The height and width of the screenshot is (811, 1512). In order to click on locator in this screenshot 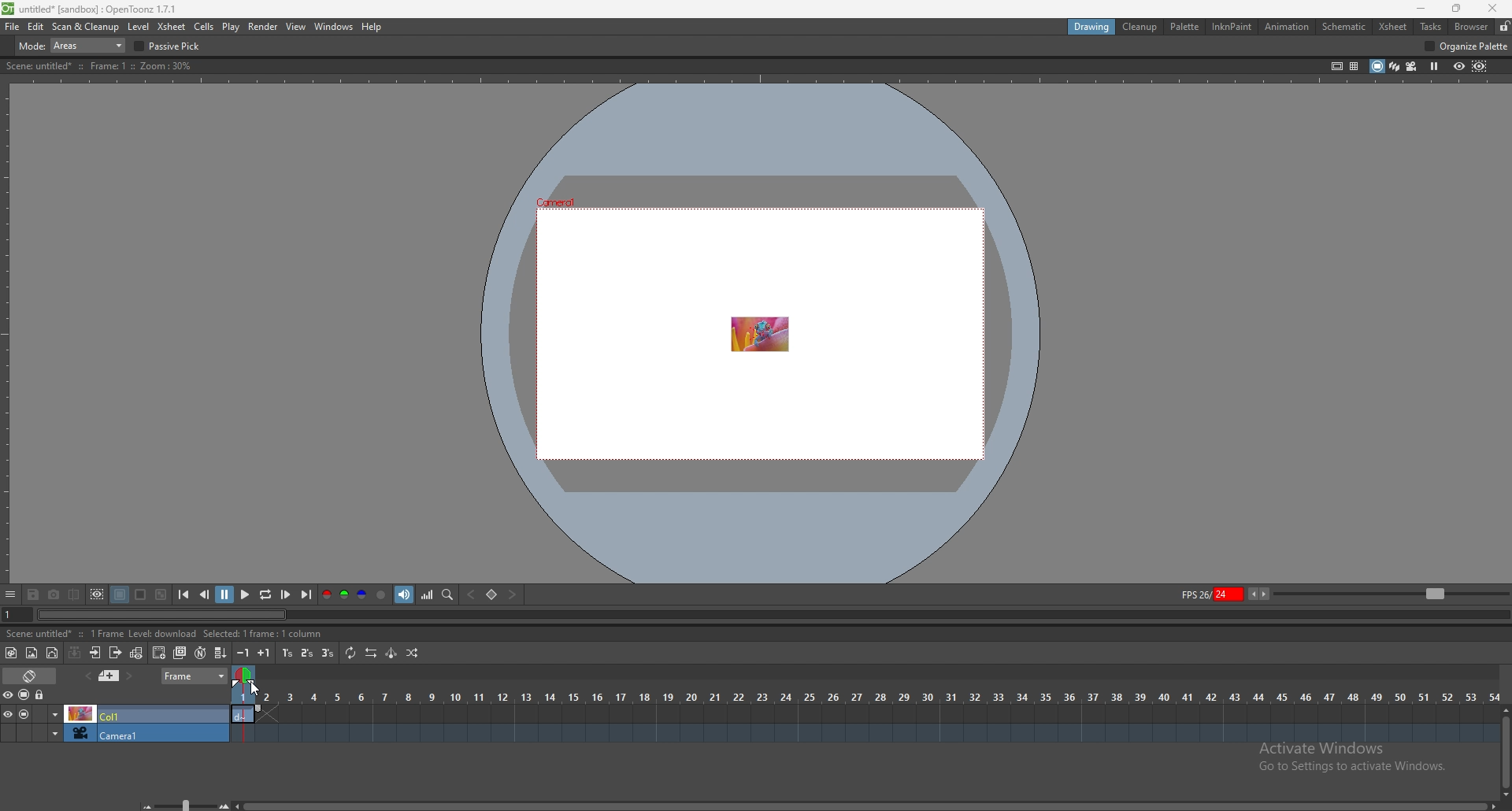, I will do `click(449, 595)`.